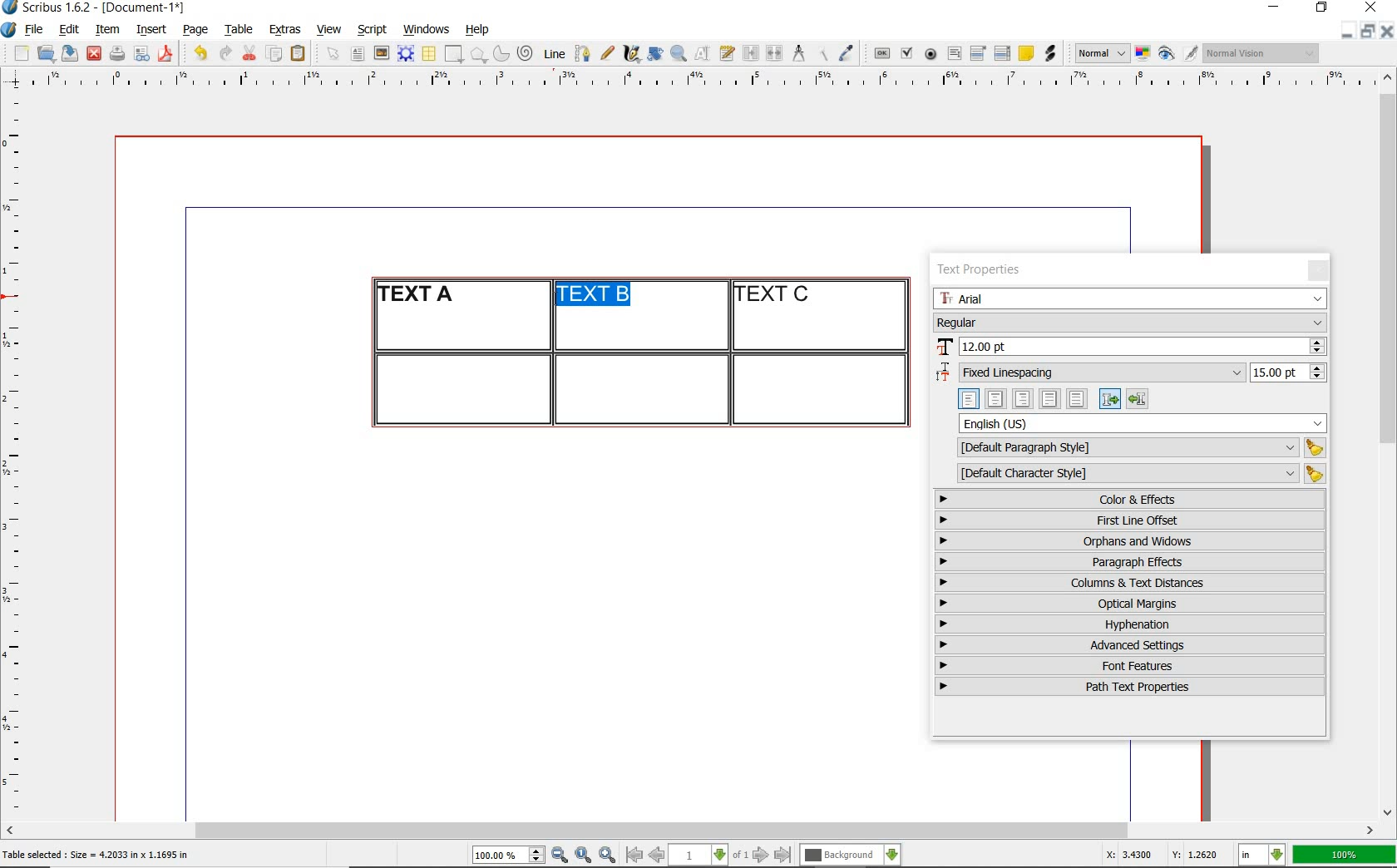 The image size is (1397, 868). What do you see at coordinates (761, 856) in the screenshot?
I see `go to next page` at bounding box center [761, 856].